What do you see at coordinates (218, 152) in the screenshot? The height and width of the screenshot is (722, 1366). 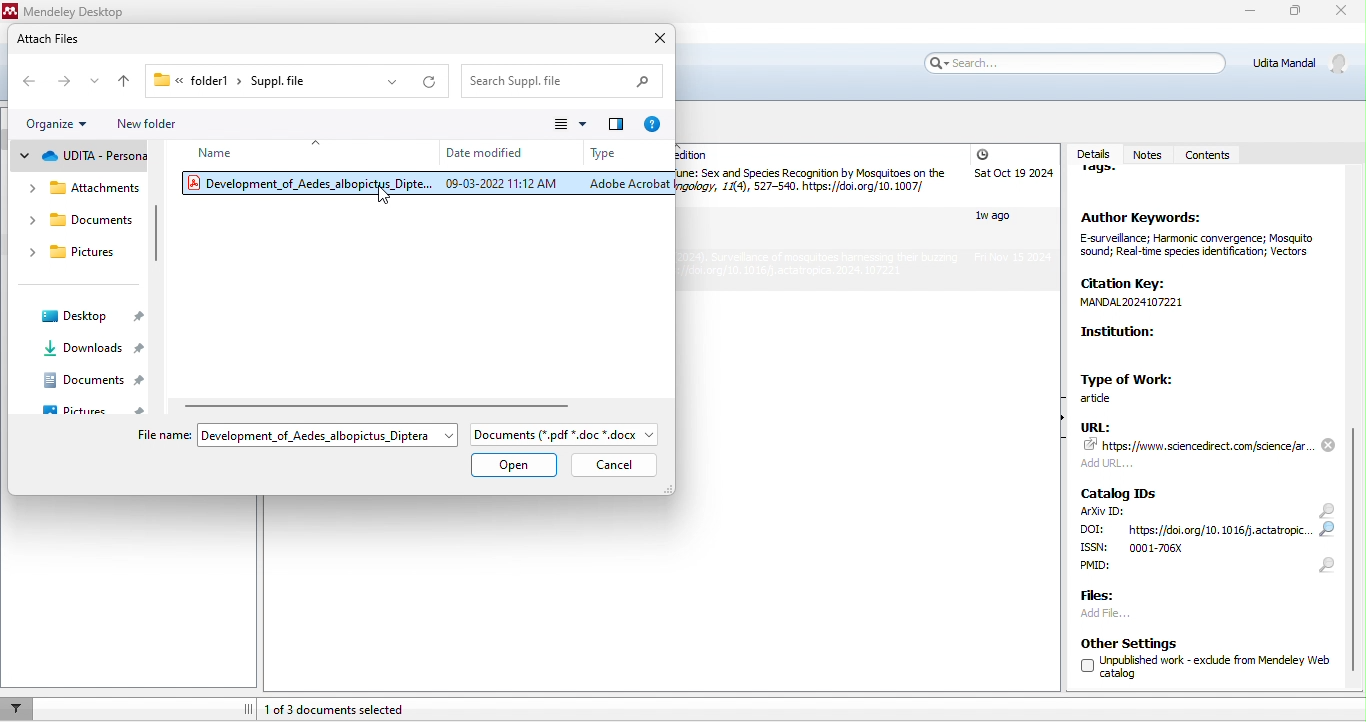 I see `name` at bounding box center [218, 152].